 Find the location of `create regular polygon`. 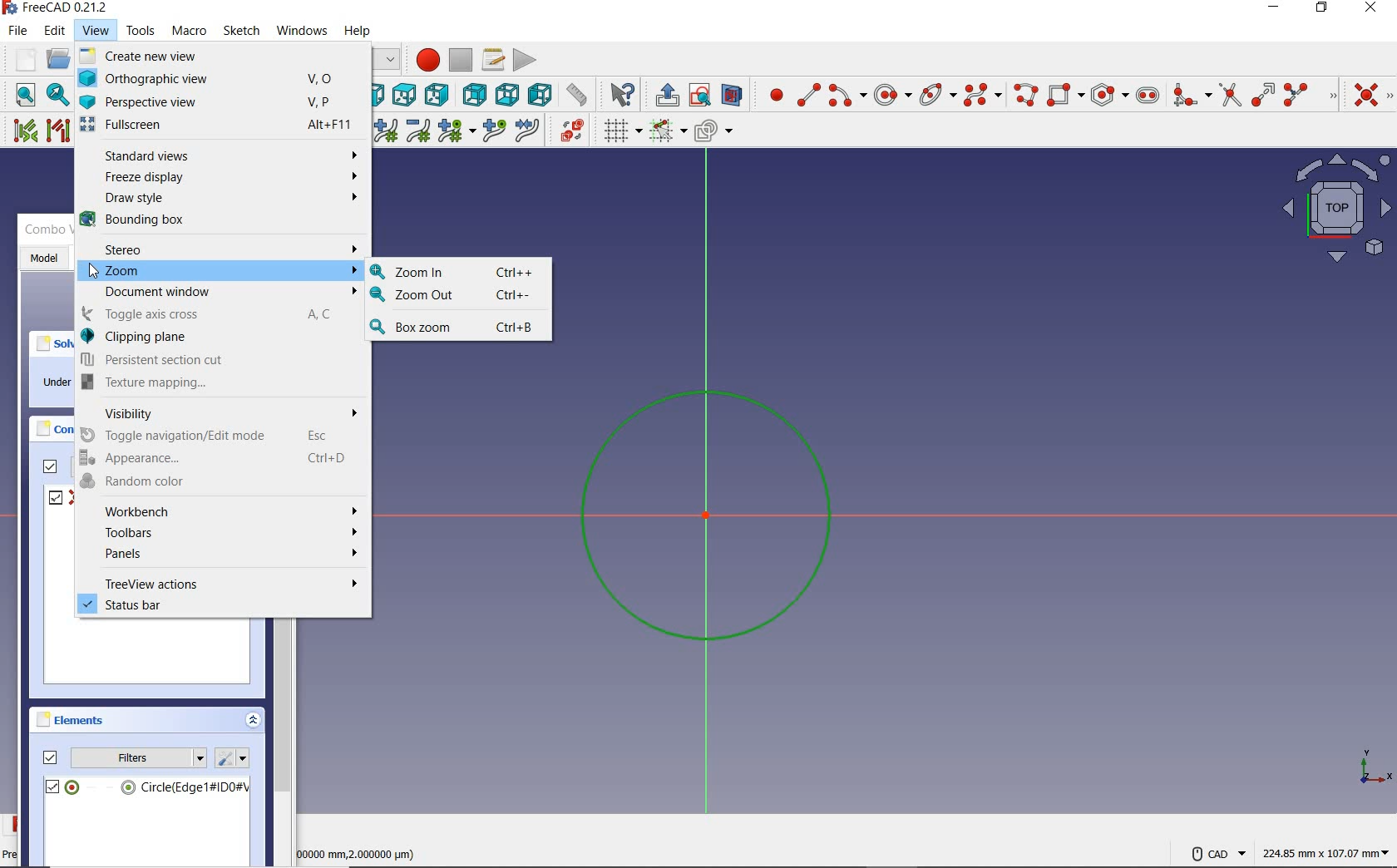

create regular polygon is located at coordinates (1109, 94).